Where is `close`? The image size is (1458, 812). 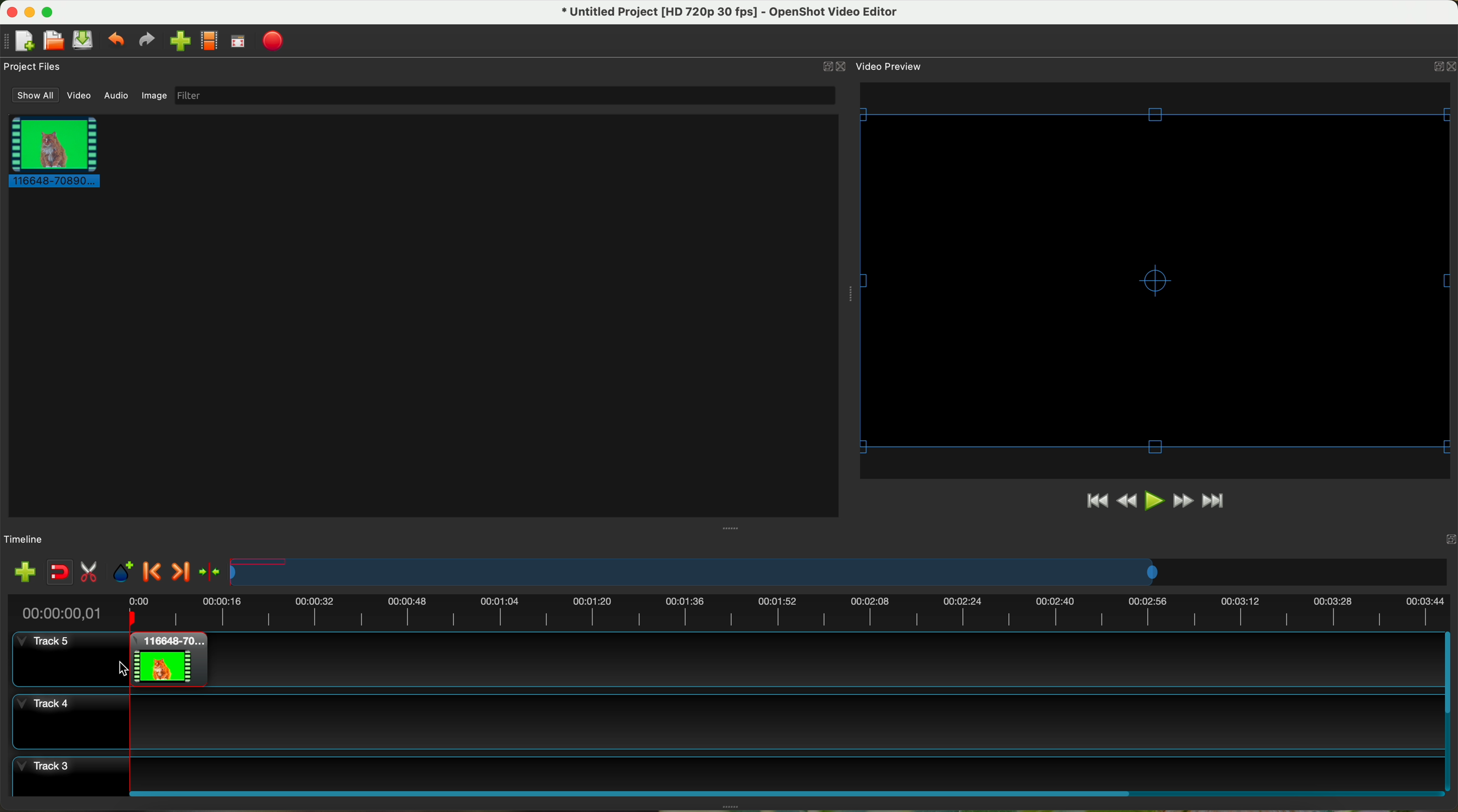 close is located at coordinates (835, 67).